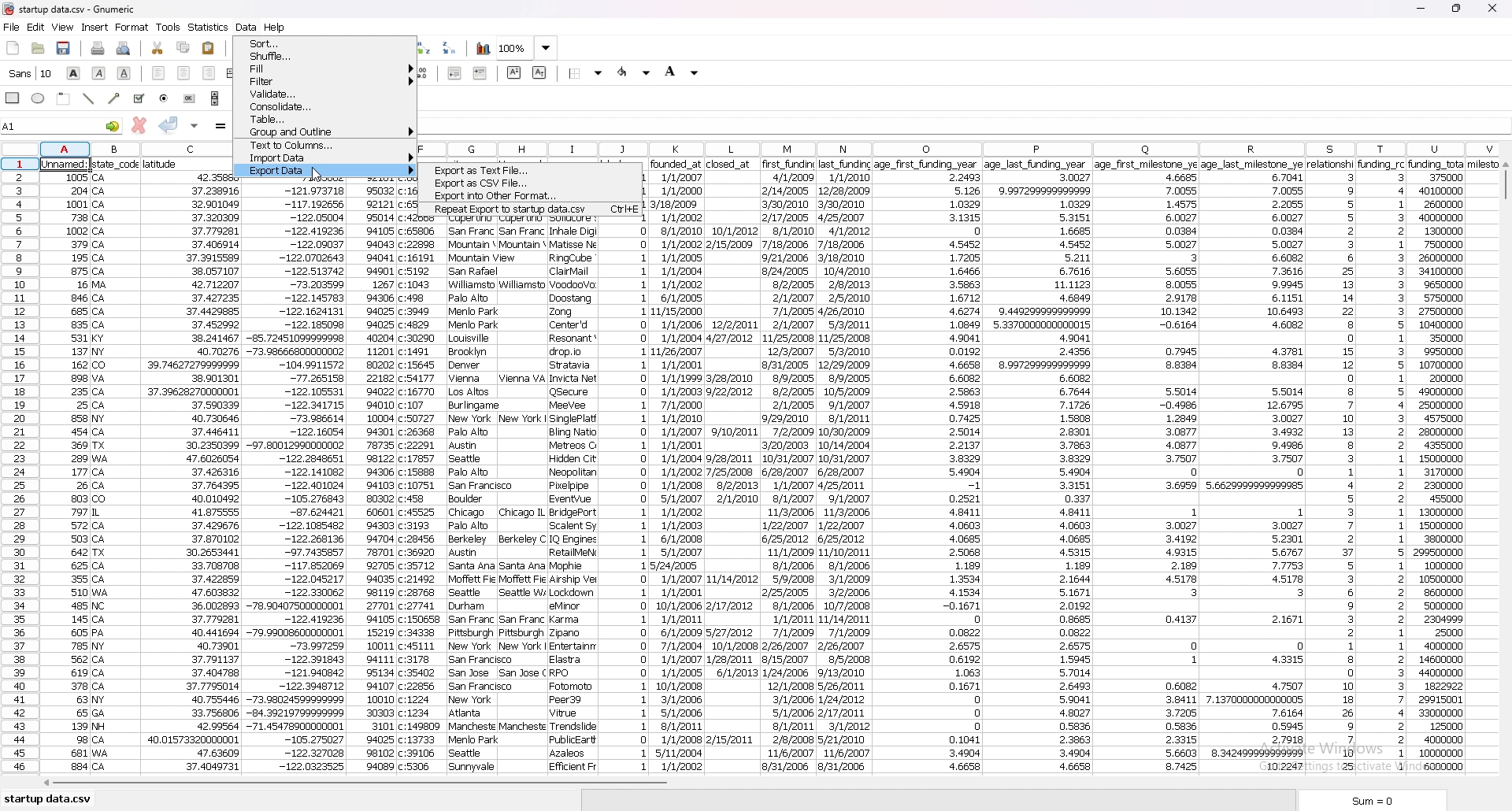 This screenshot has width=1512, height=811. What do you see at coordinates (139, 98) in the screenshot?
I see `tickbox` at bounding box center [139, 98].